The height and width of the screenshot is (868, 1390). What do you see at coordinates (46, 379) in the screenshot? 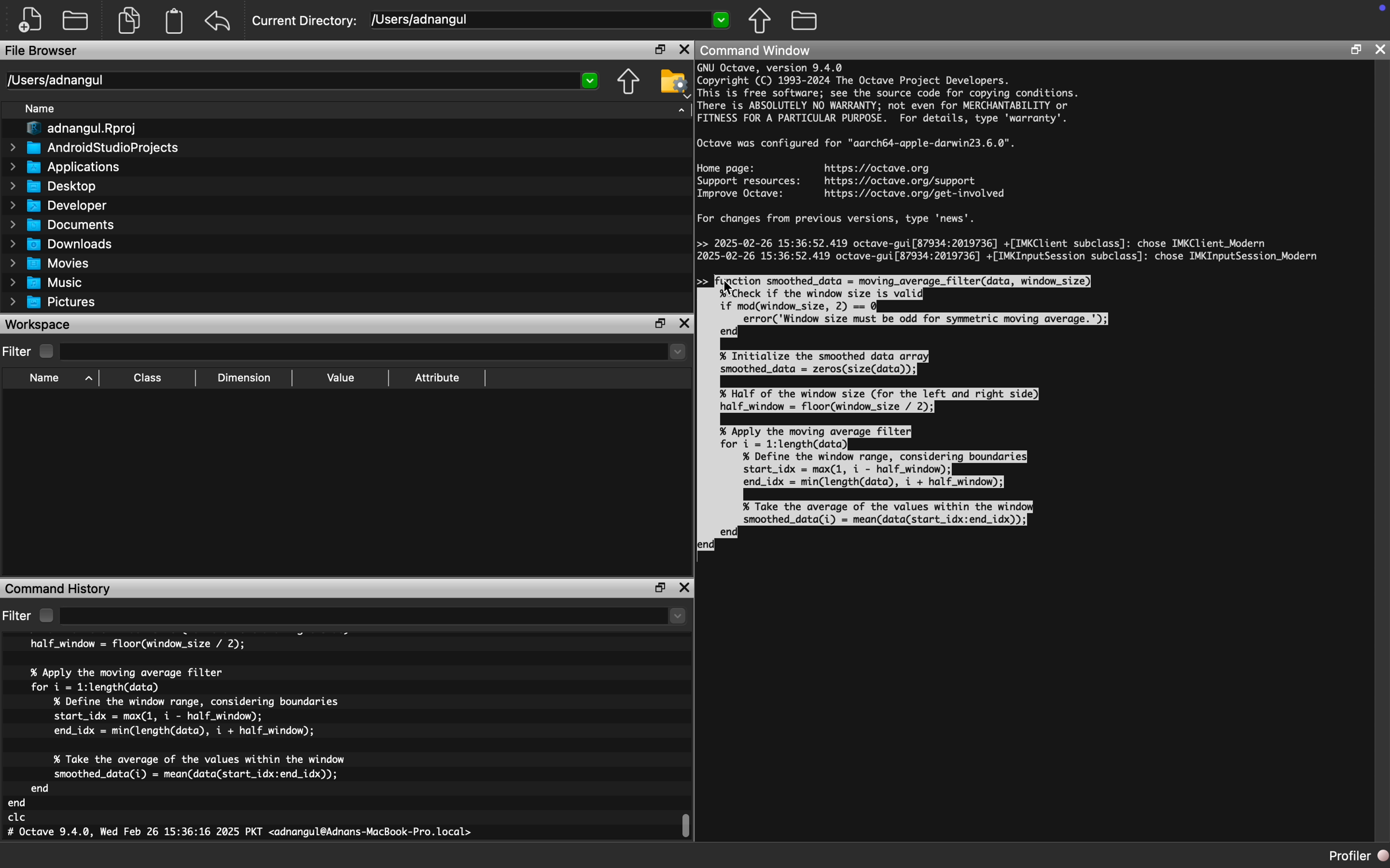
I see `Name` at bounding box center [46, 379].